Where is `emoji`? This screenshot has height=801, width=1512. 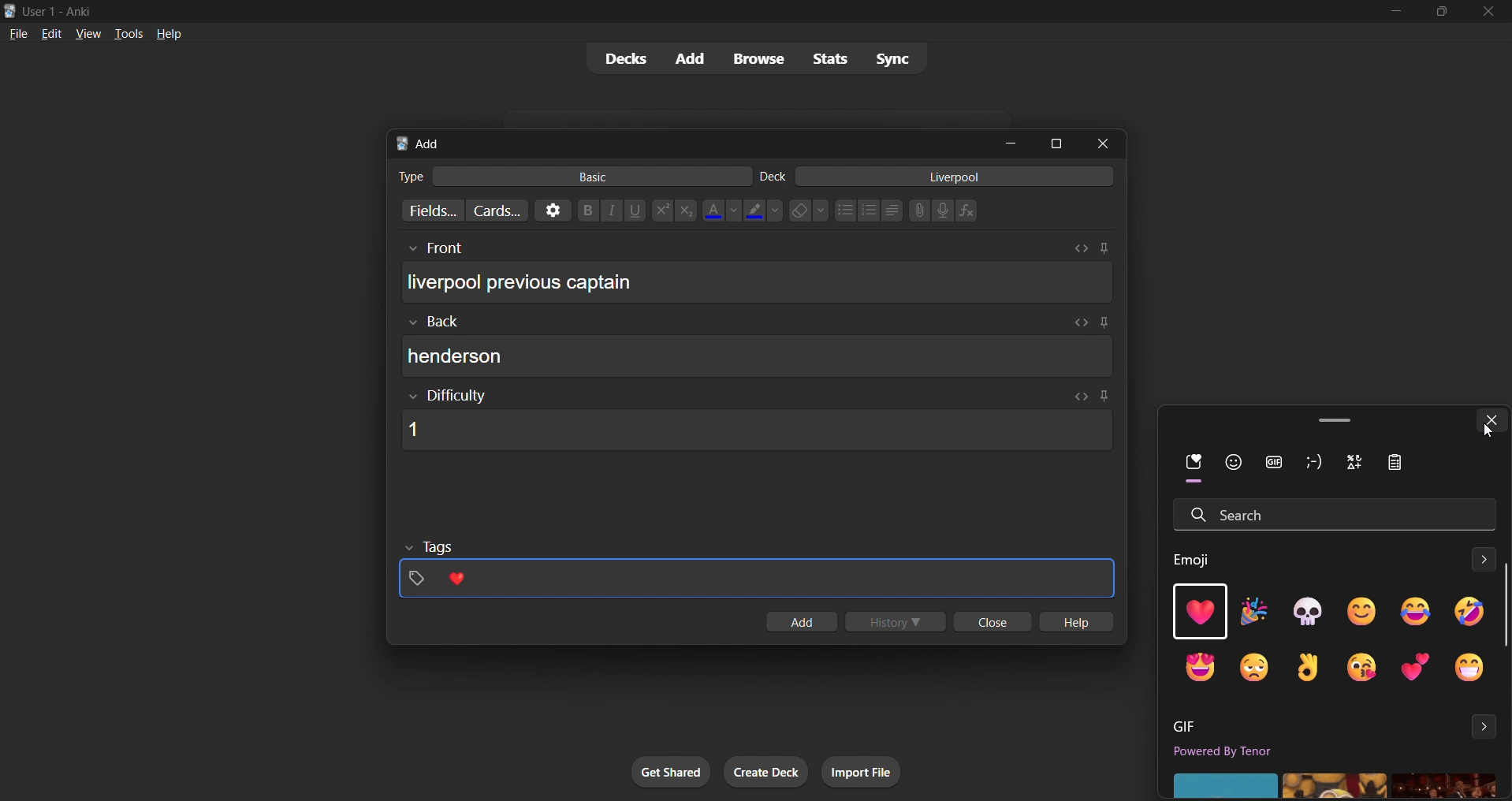 emoji is located at coordinates (1365, 668).